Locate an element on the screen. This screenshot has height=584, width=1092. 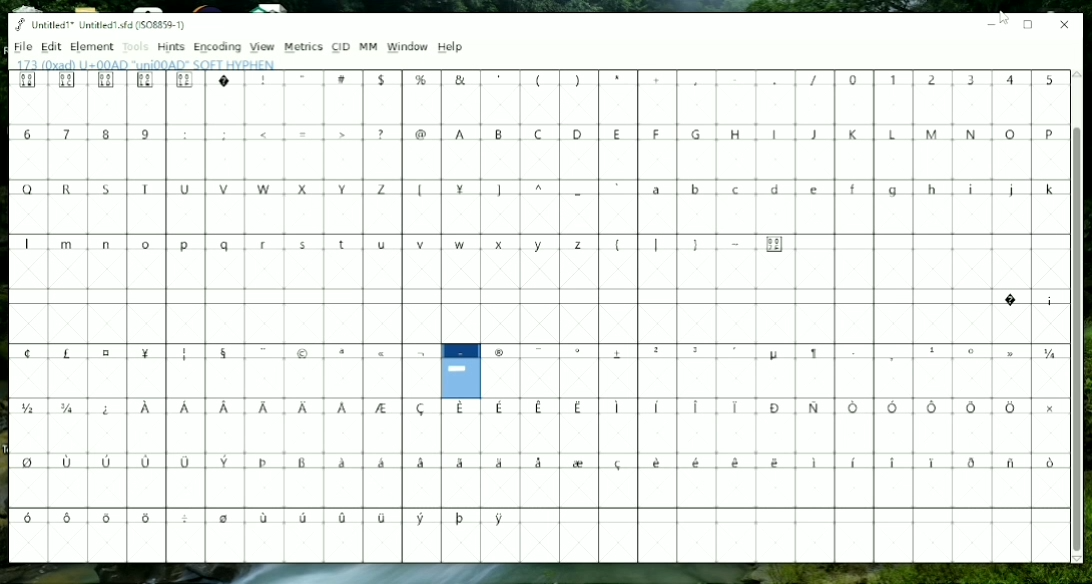
MM is located at coordinates (368, 46).